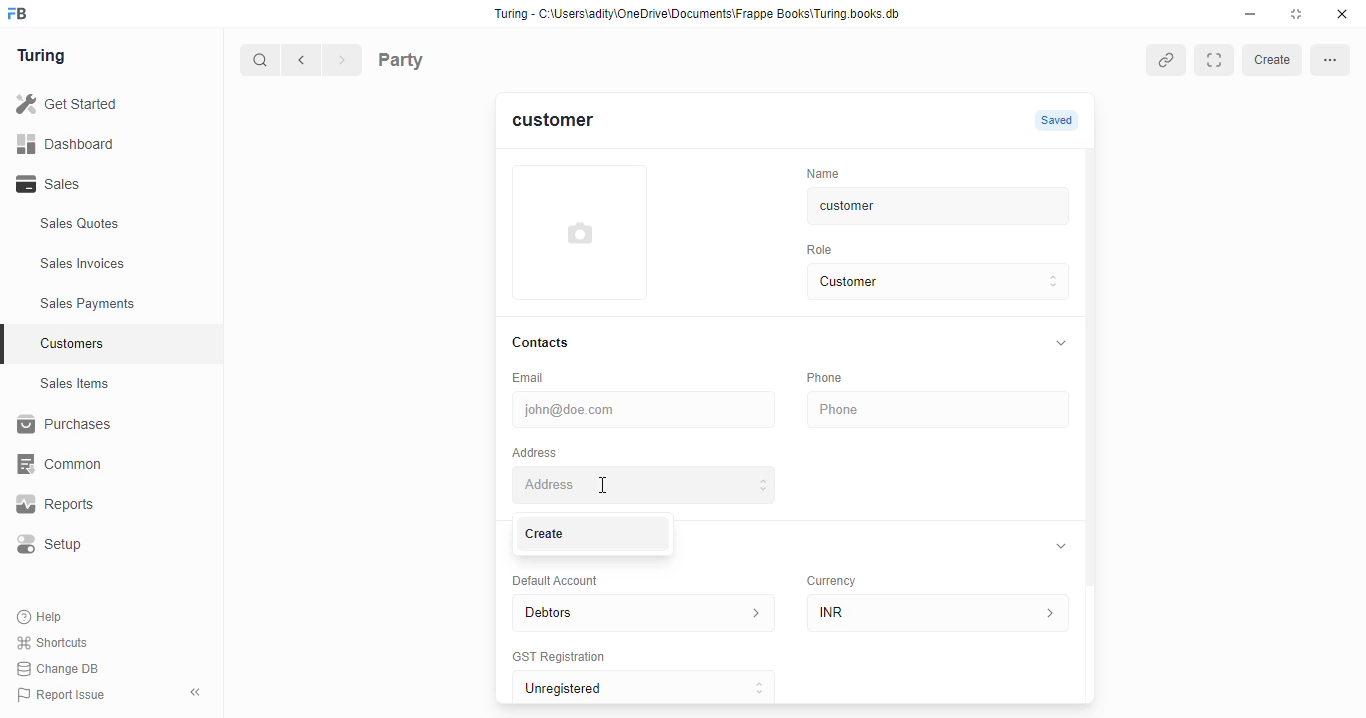 The image size is (1366, 718). What do you see at coordinates (939, 609) in the screenshot?
I see `INR` at bounding box center [939, 609].